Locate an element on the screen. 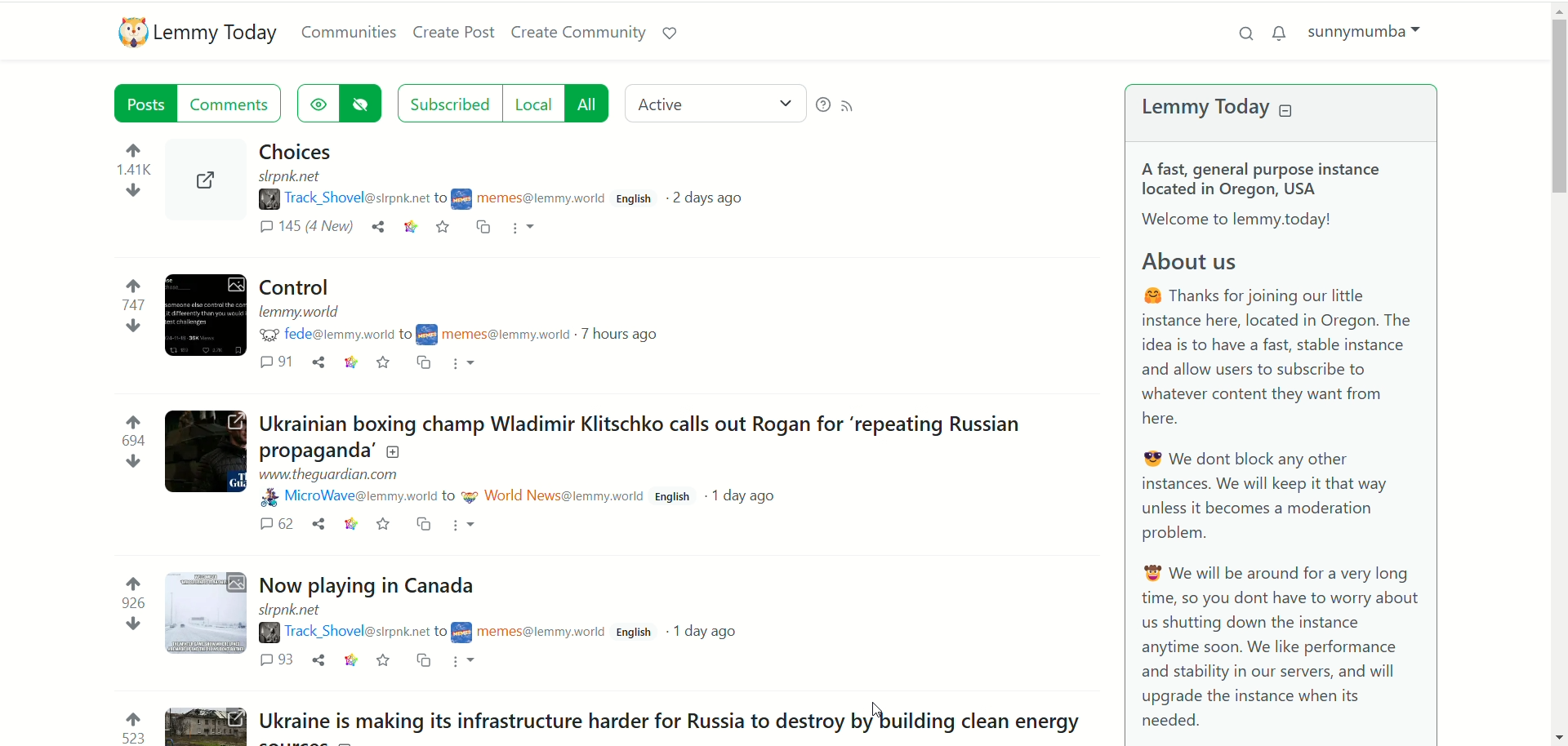  link is located at coordinates (348, 362).